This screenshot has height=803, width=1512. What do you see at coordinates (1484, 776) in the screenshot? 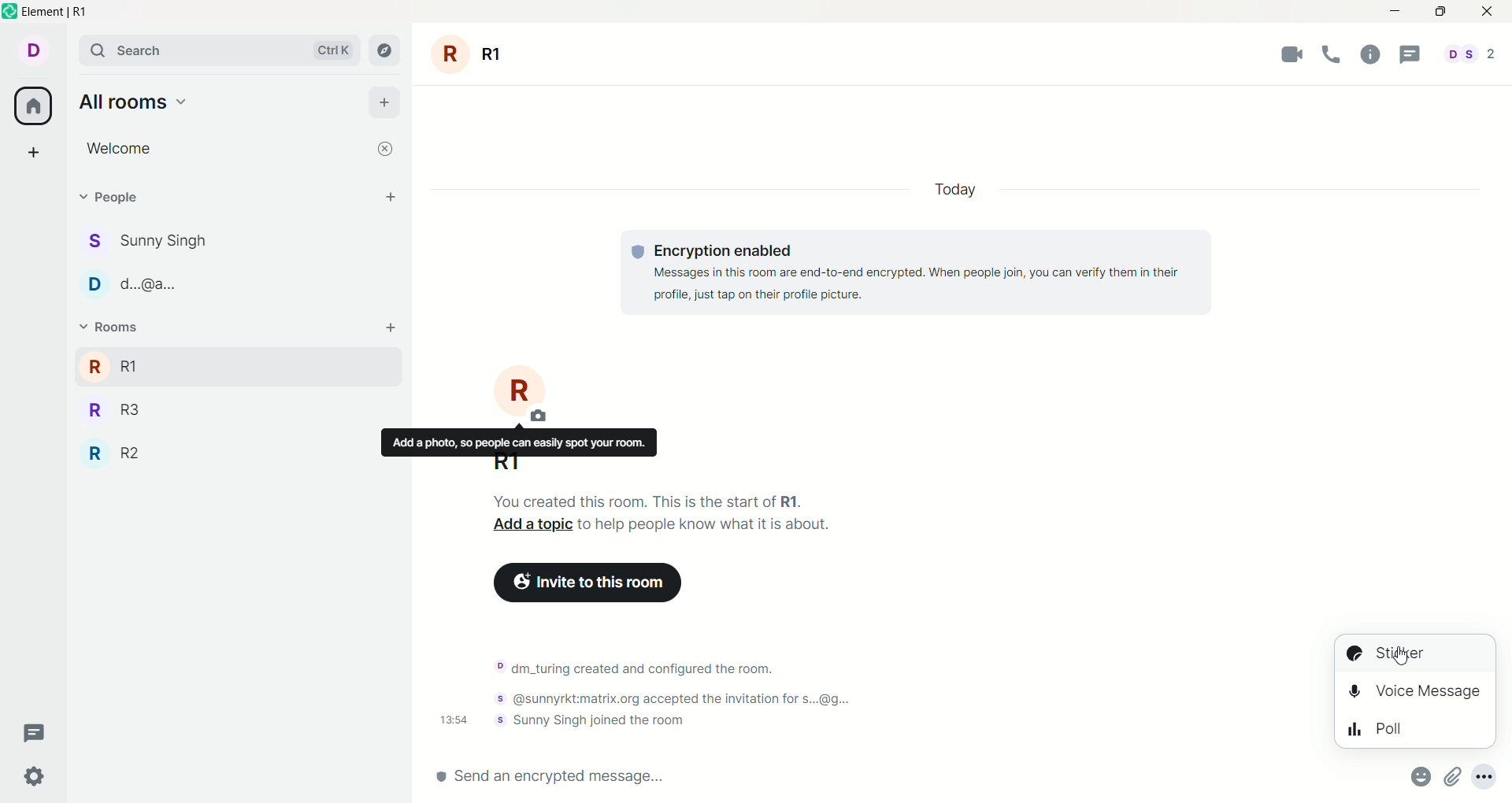
I see `More options` at bounding box center [1484, 776].